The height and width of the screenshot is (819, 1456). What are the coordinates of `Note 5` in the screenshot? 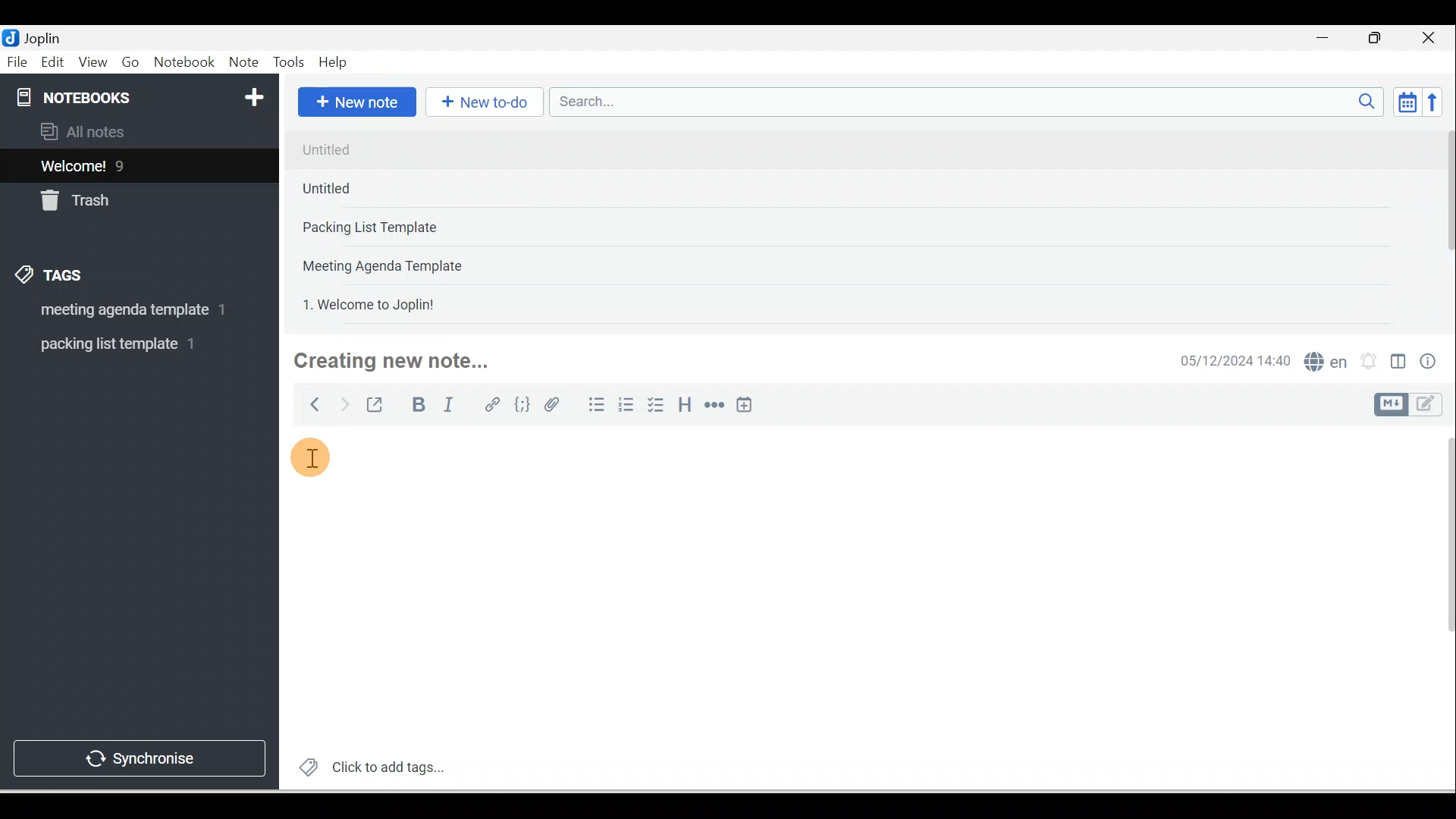 It's located at (424, 303).